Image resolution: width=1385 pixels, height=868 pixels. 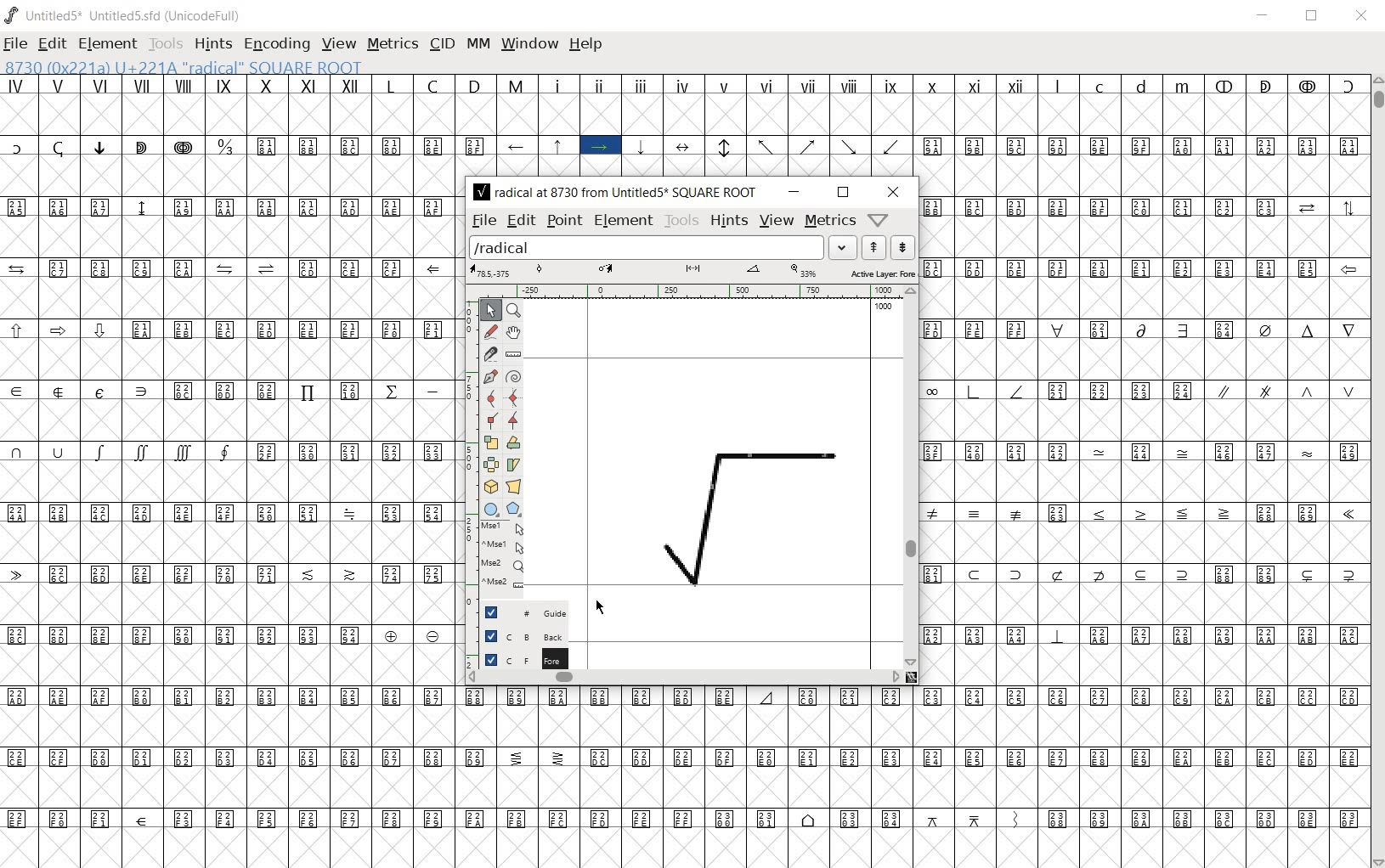 I want to click on WINDOW, so click(x=530, y=45).